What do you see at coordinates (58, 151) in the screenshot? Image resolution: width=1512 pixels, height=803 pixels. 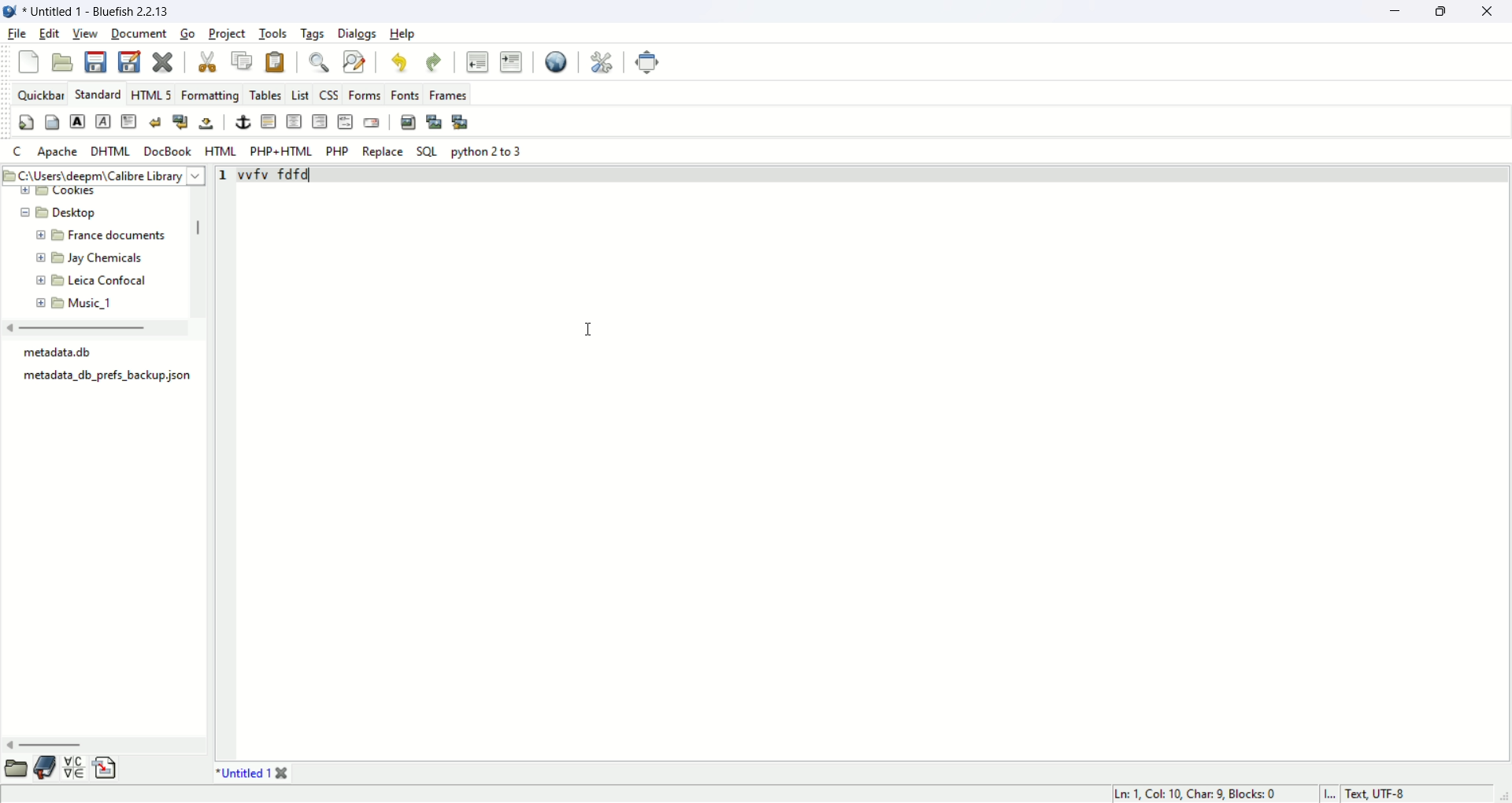 I see `apache` at bounding box center [58, 151].